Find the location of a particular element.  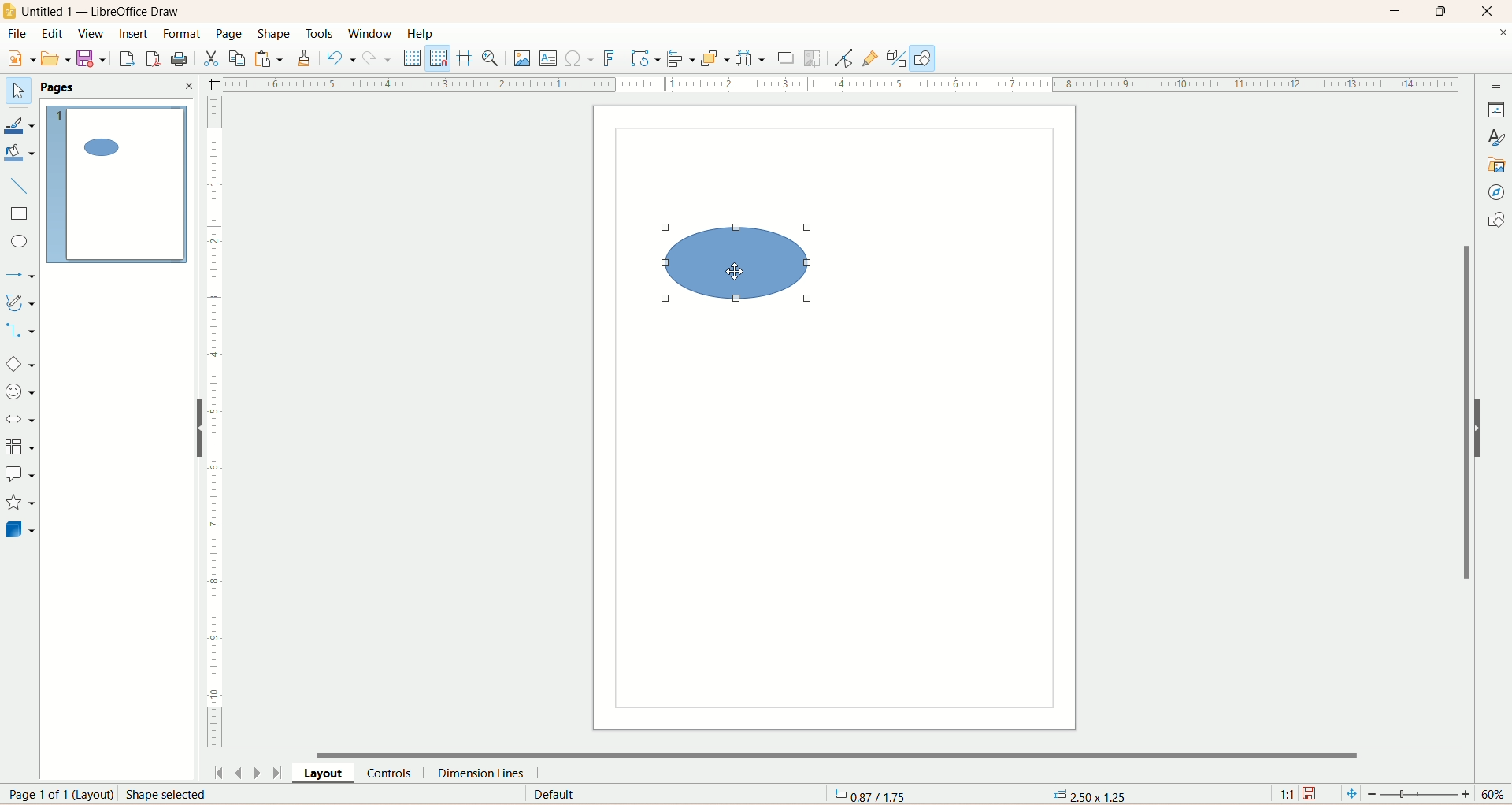

shapes is located at coordinates (1494, 220).